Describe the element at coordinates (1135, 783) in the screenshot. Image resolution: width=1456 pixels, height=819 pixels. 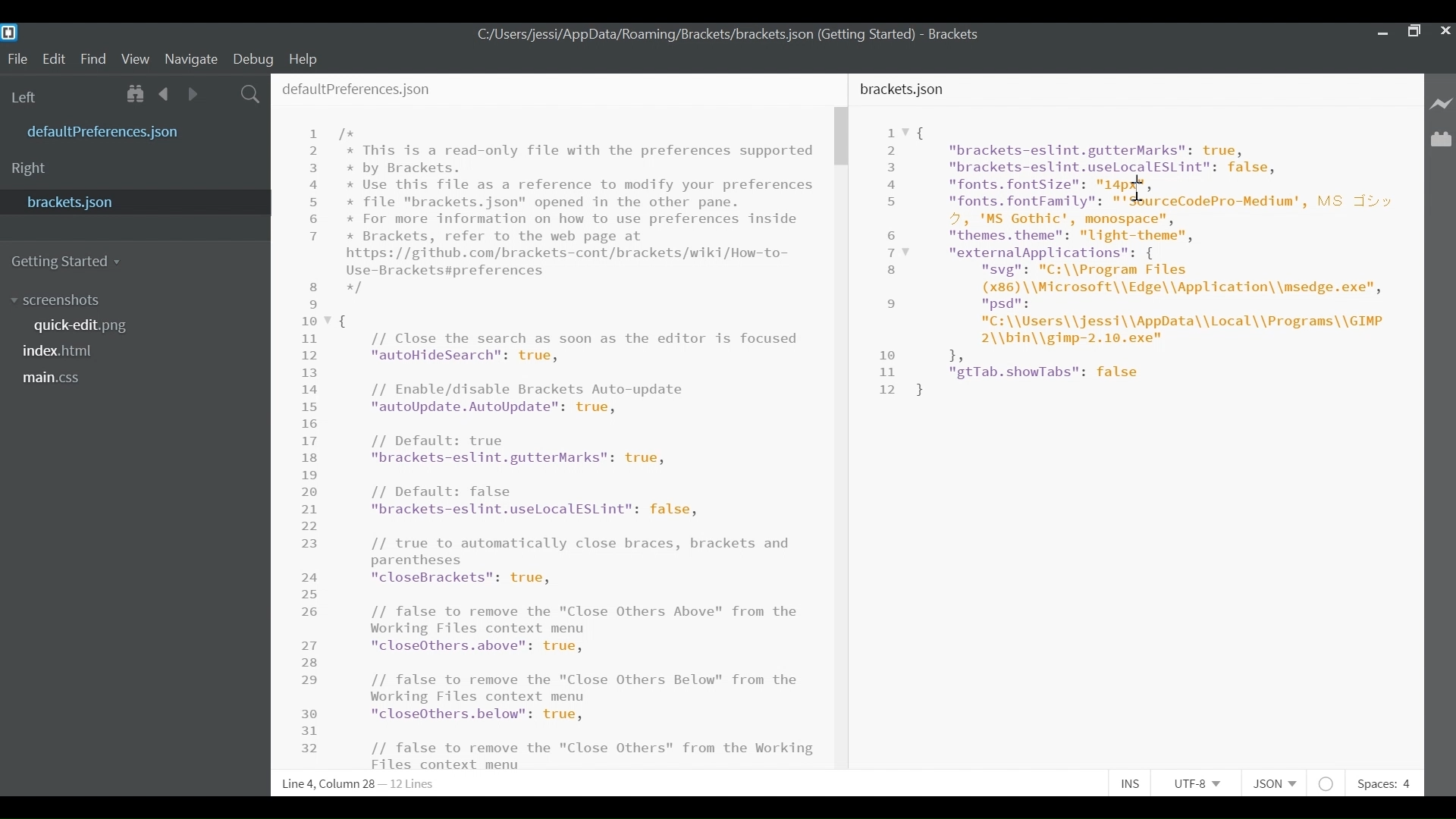
I see `INS` at that location.